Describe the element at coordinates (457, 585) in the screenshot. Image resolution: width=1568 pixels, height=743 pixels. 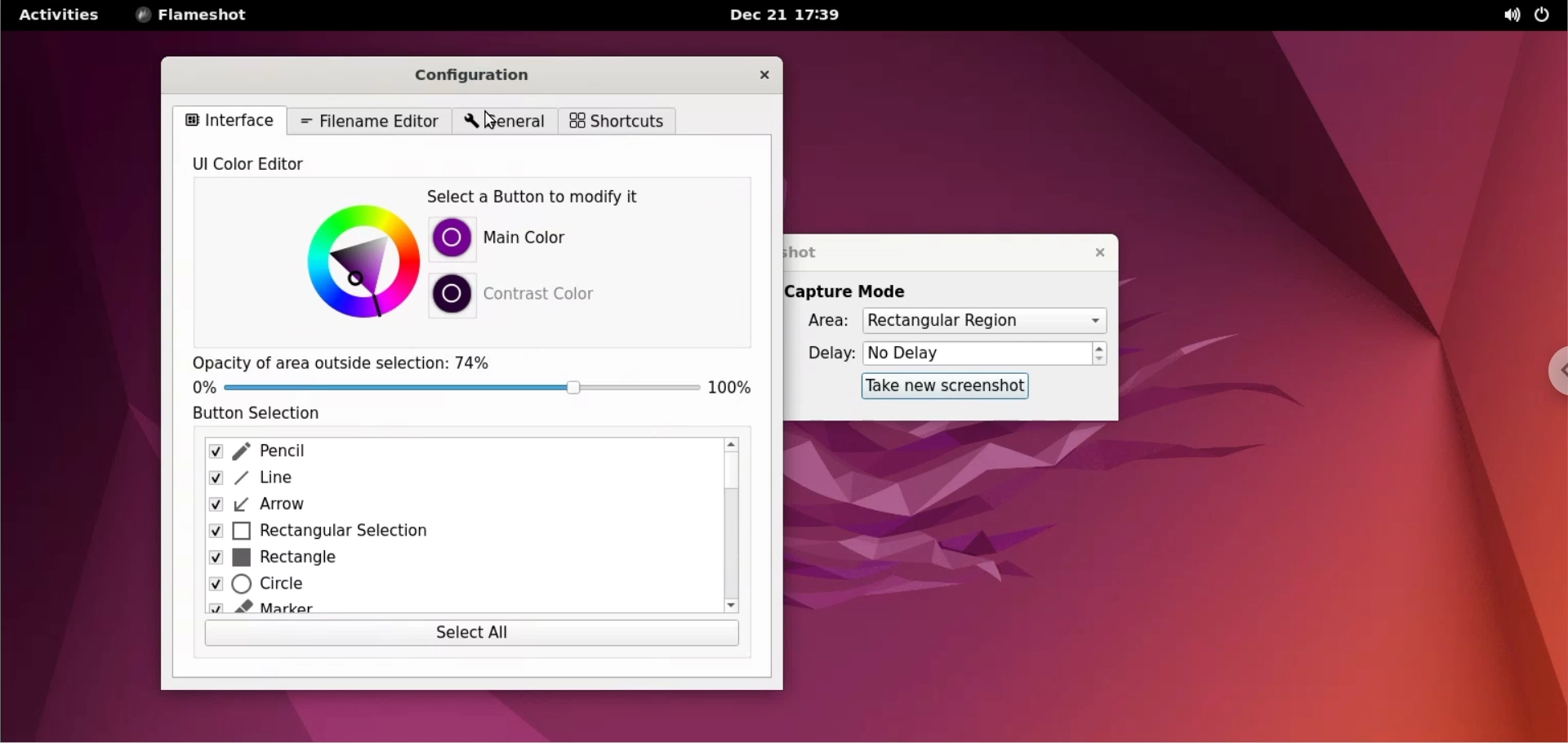
I see `circle checkbox` at that location.